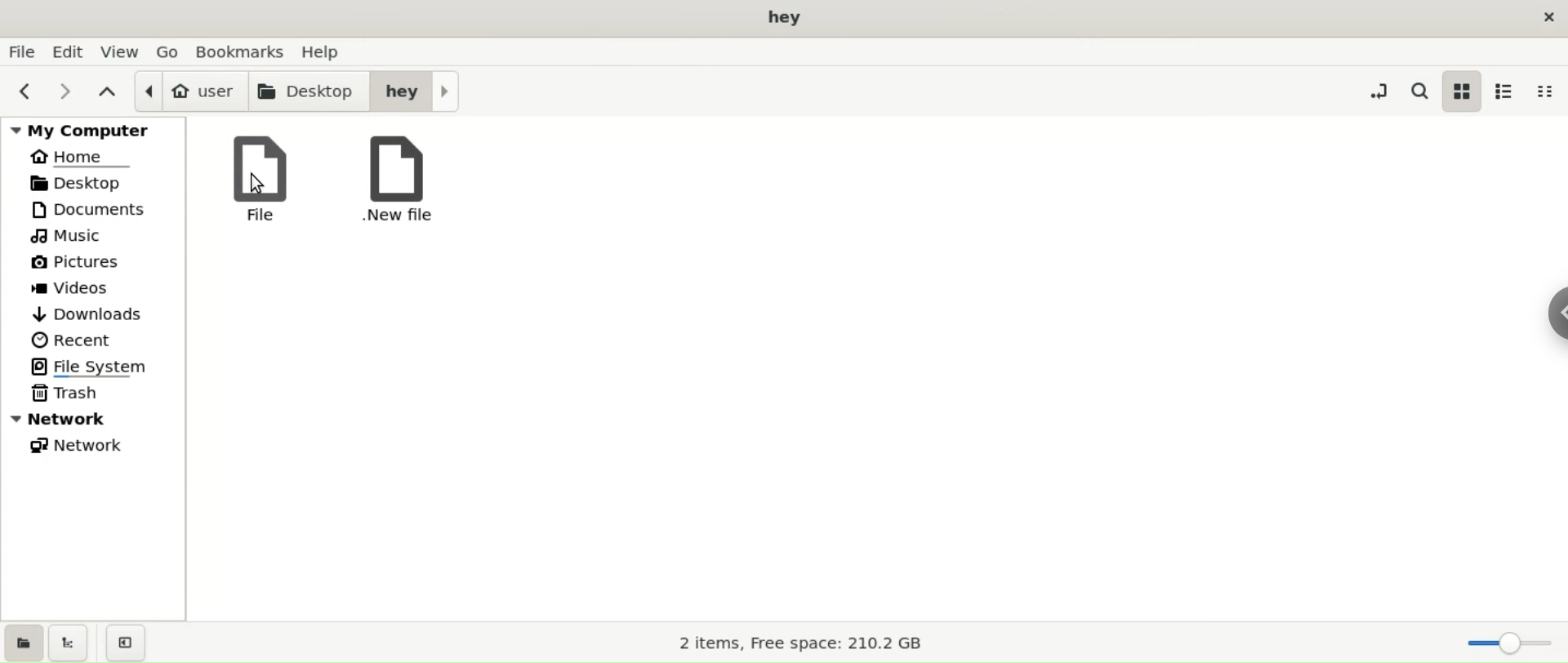 This screenshot has height=663, width=1568. I want to click on file, so click(21, 51).